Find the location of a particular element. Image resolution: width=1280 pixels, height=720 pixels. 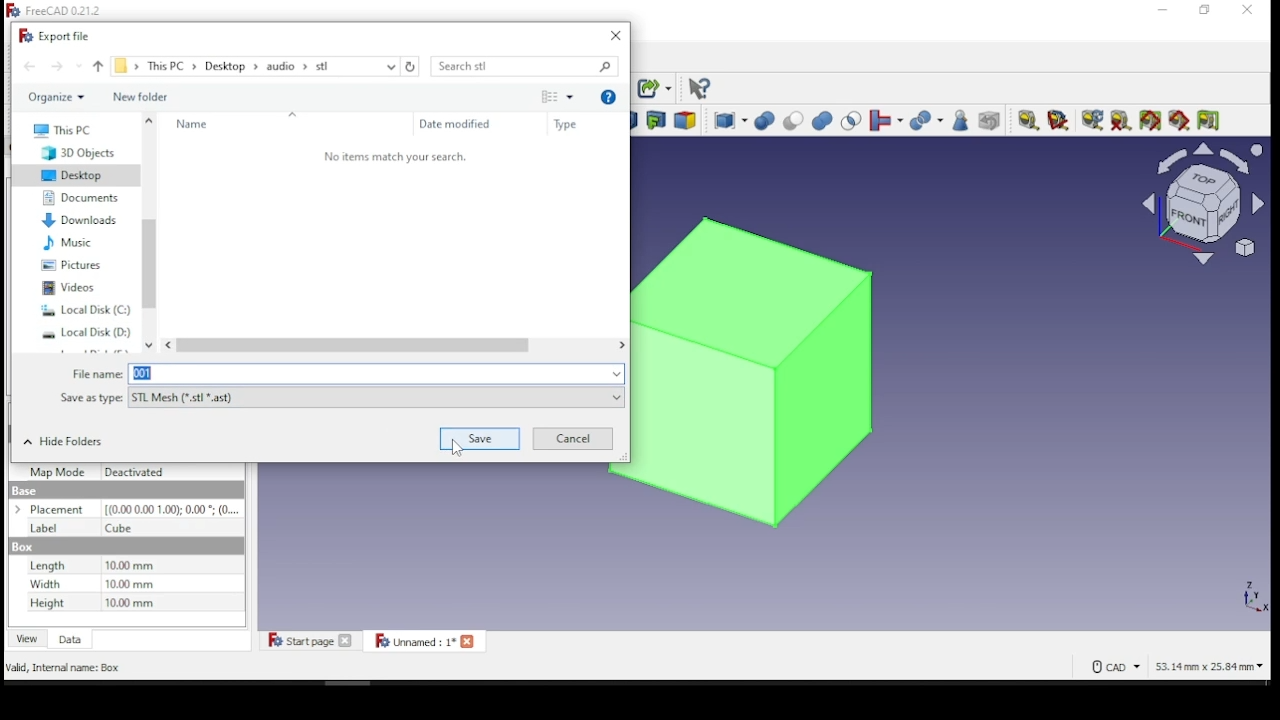

new folder is located at coordinates (141, 99).